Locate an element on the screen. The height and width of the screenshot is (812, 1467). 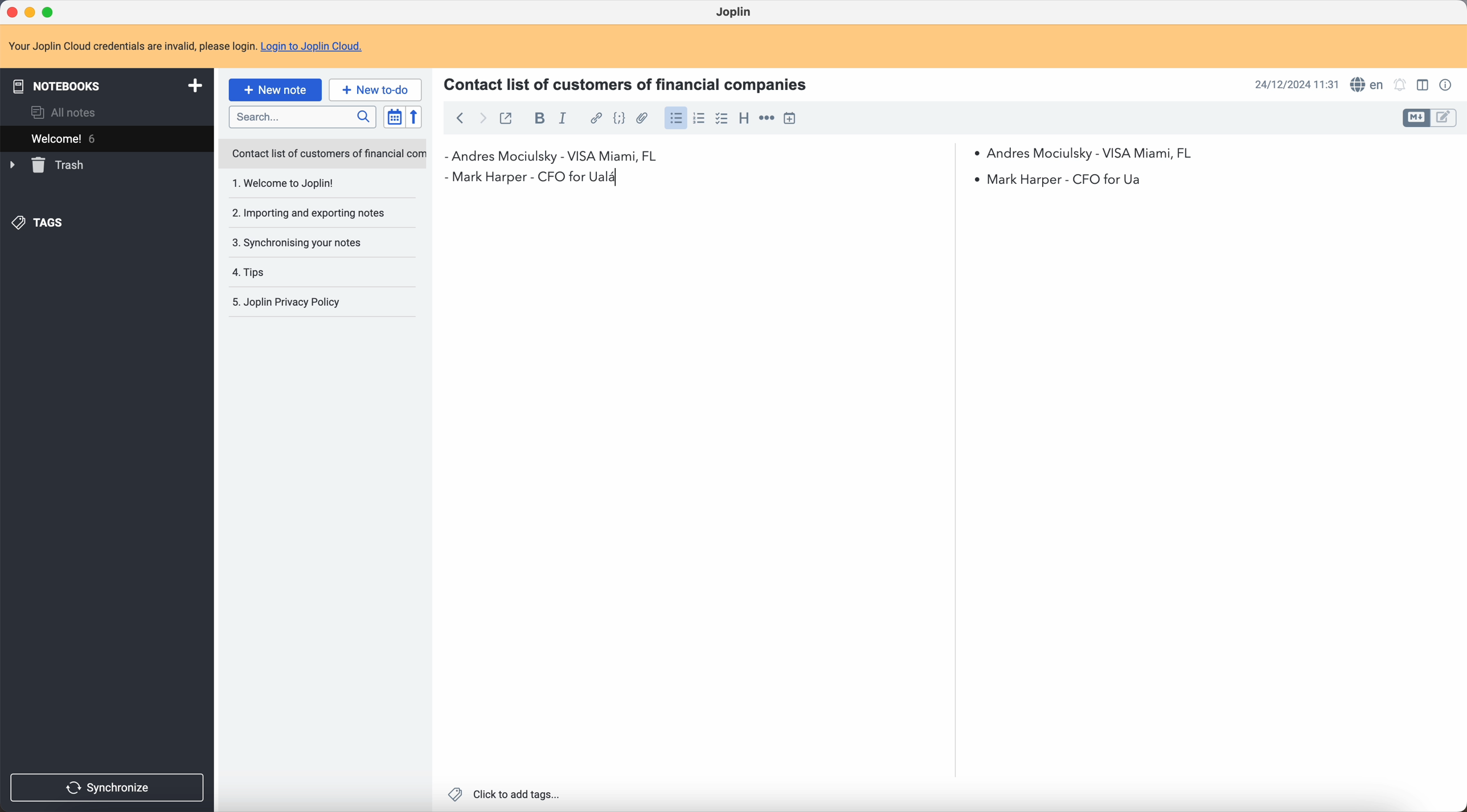
2. Importing and exporting notes is located at coordinates (312, 214).